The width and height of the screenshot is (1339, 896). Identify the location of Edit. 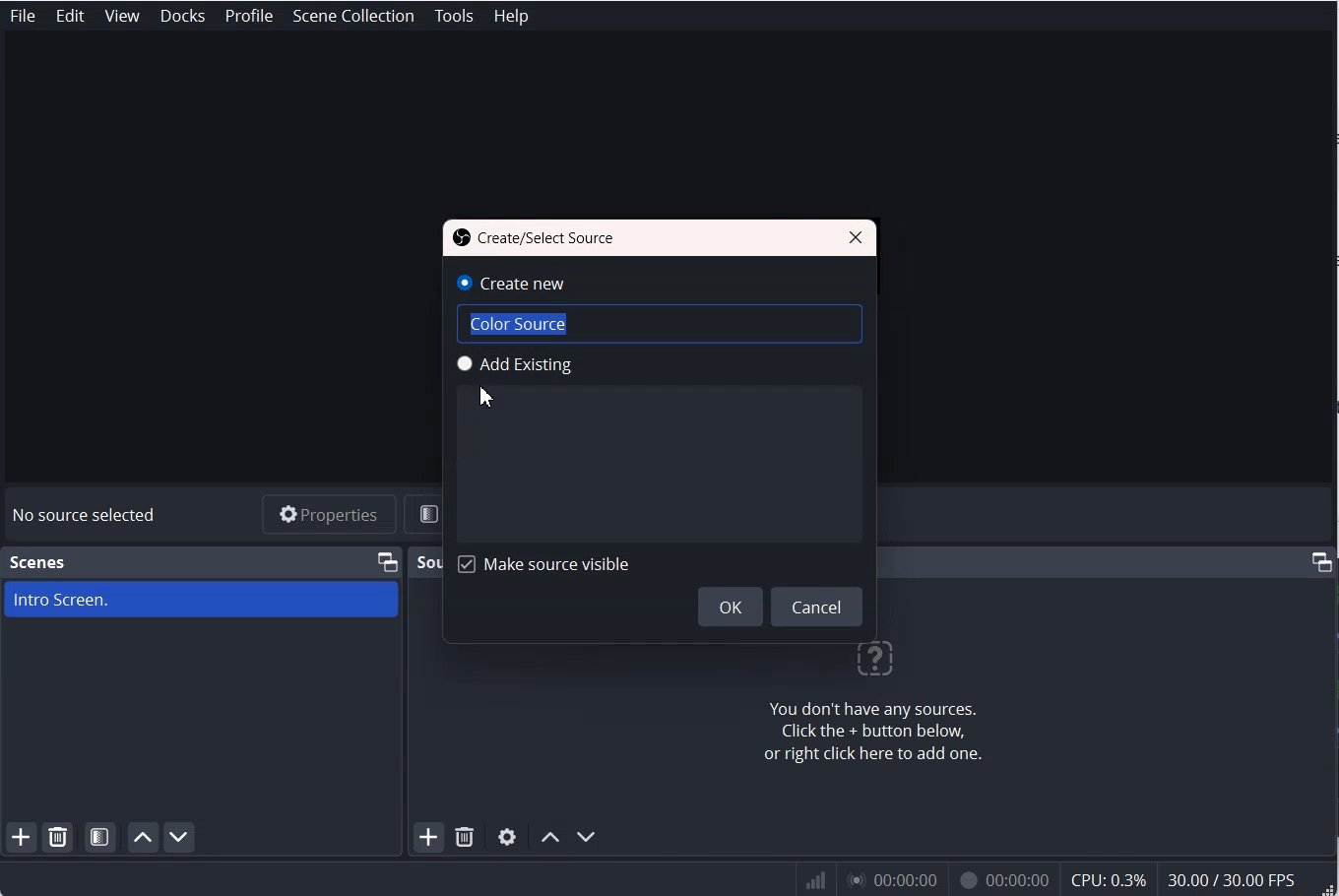
(71, 16).